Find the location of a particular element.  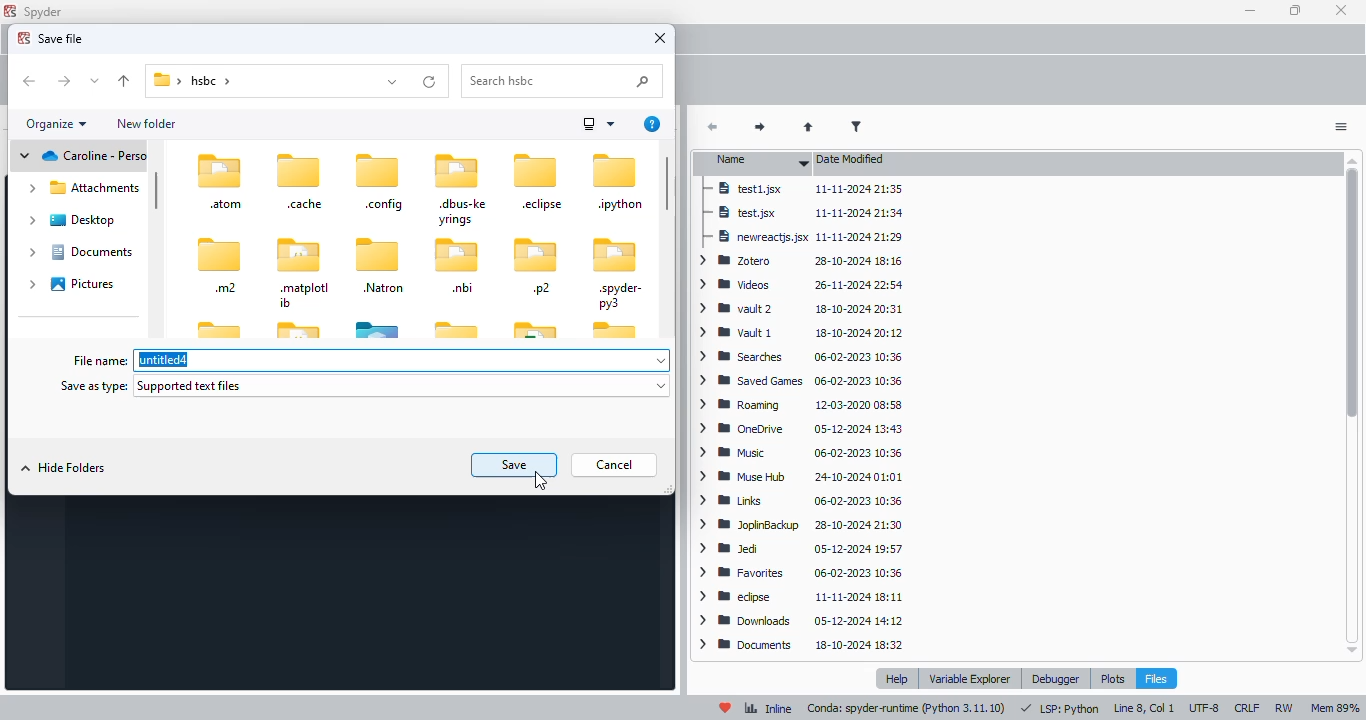

.m2 is located at coordinates (222, 263).